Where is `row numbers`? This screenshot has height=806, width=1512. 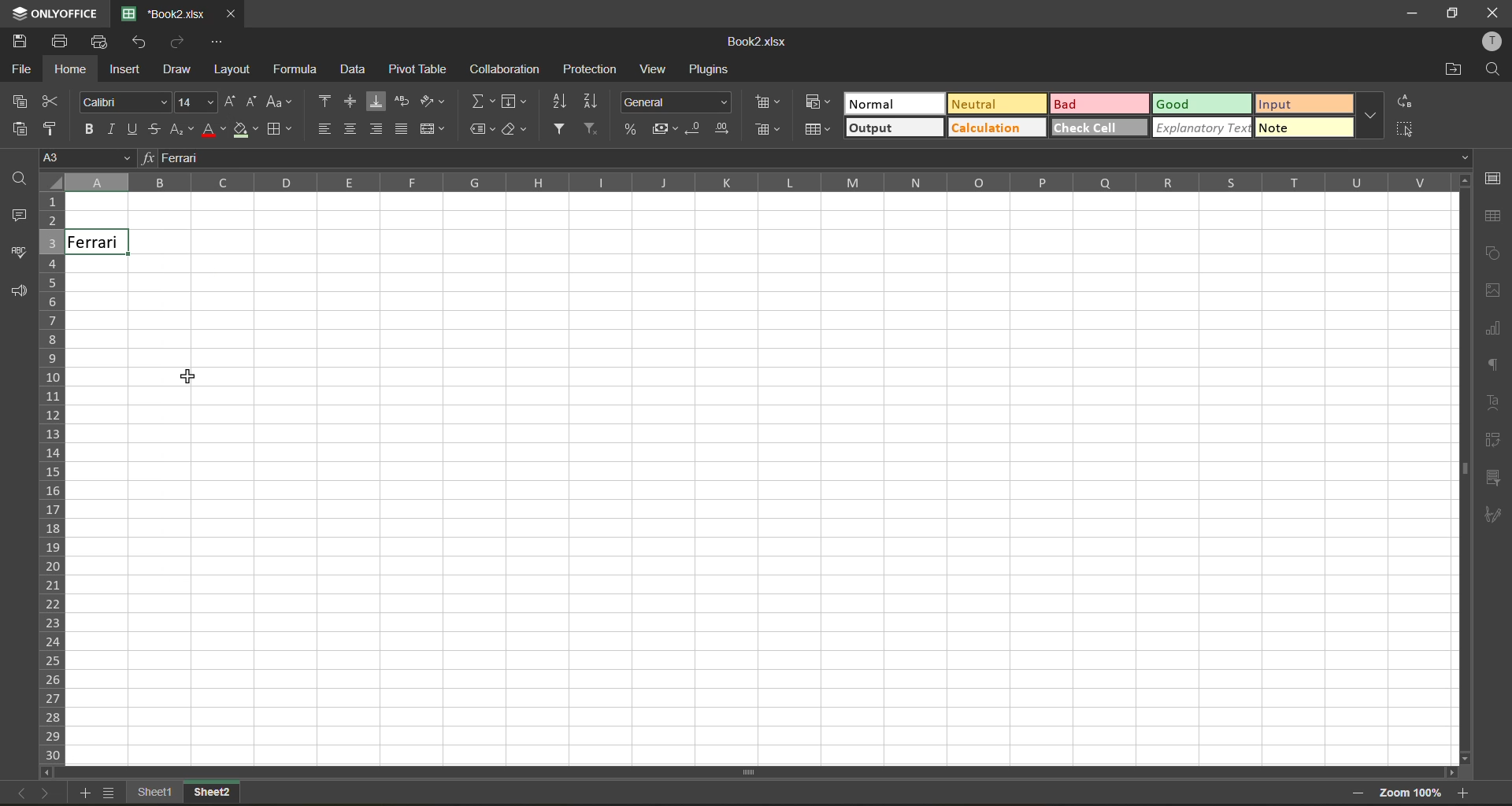
row numbers is located at coordinates (52, 468).